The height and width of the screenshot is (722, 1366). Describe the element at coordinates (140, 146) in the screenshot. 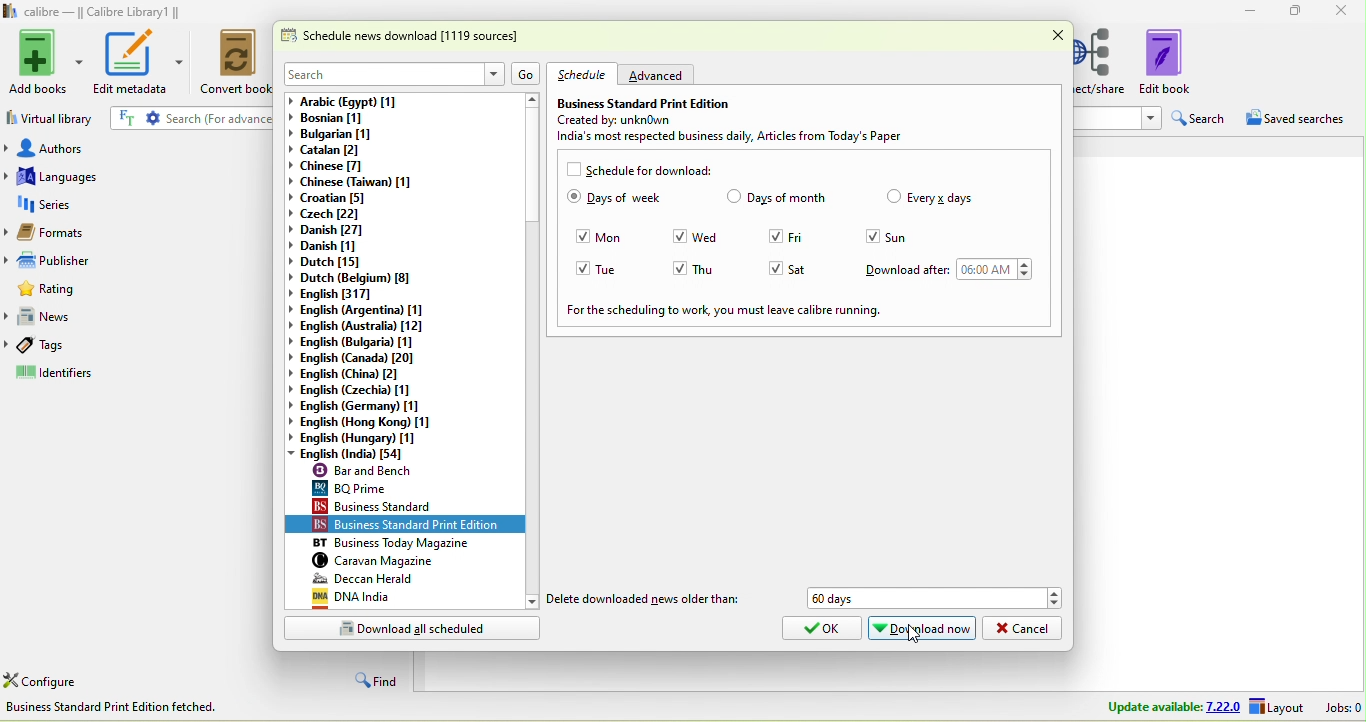

I see `authors` at that location.